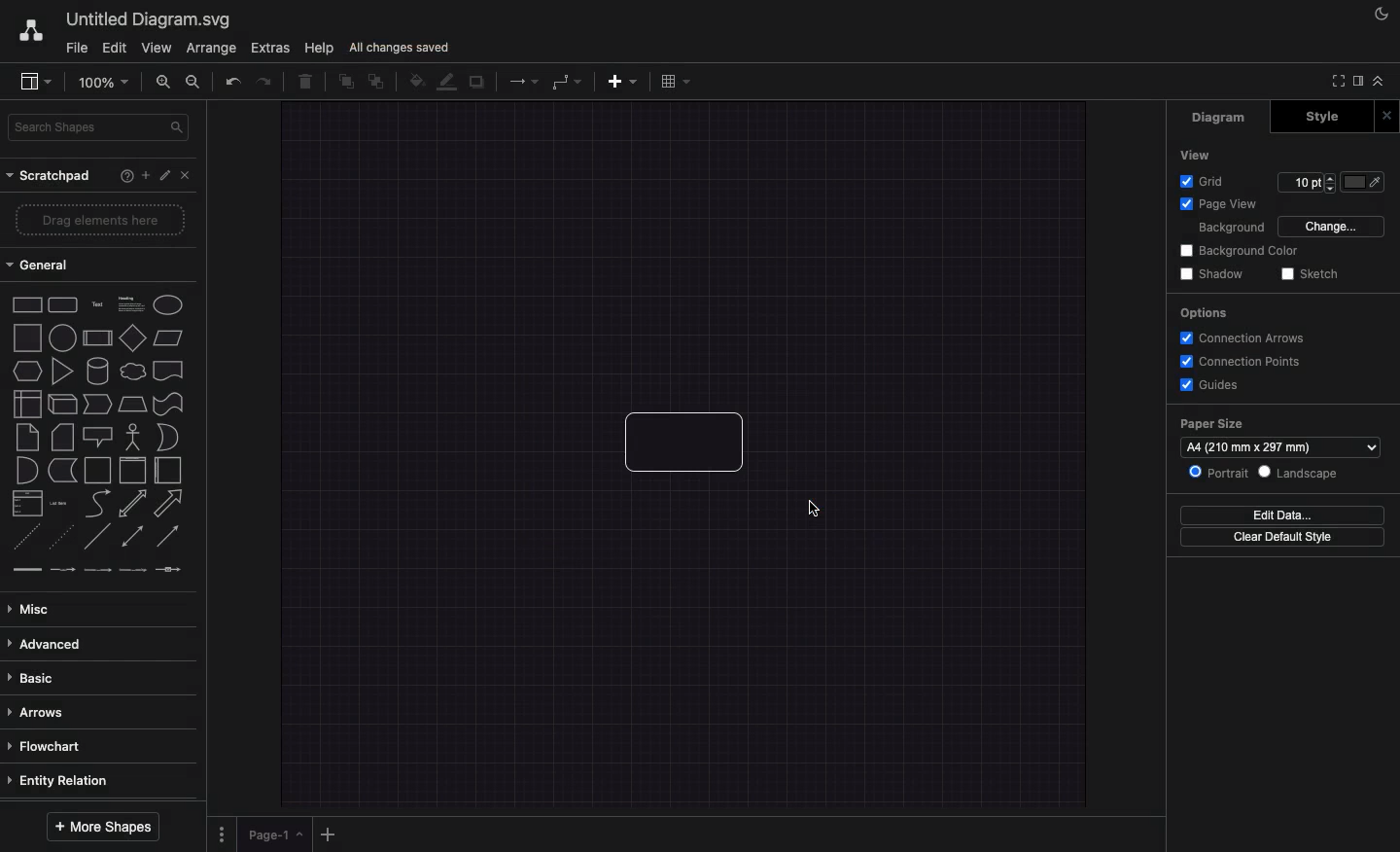 The height and width of the screenshot is (852, 1400). What do you see at coordinates (1205, 182) in the screenshot?
I see `Grid` at bounding box center [1205, 182].